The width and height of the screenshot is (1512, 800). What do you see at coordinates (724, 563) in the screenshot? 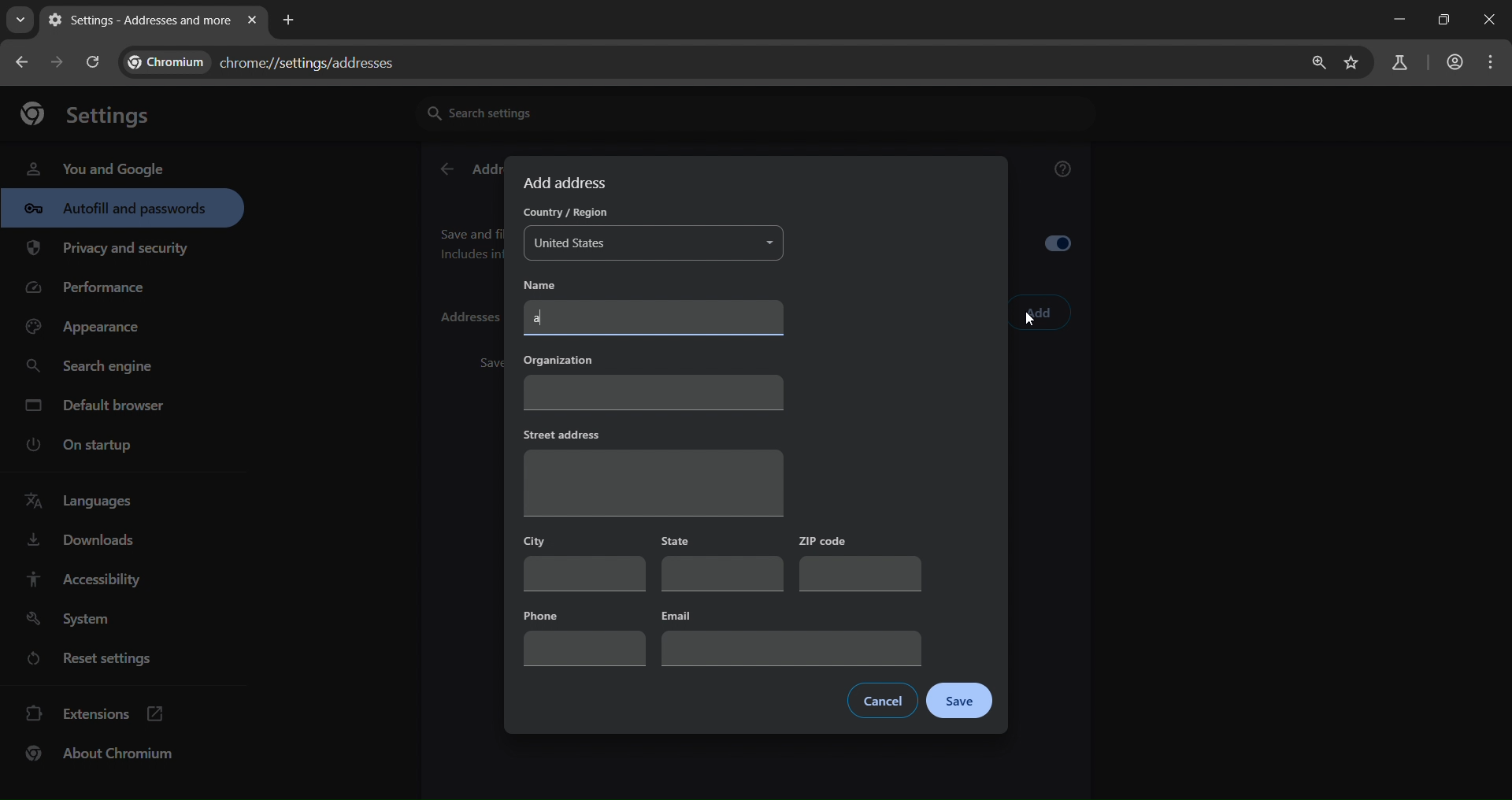
I see `state` at bounding box center [724, 563].